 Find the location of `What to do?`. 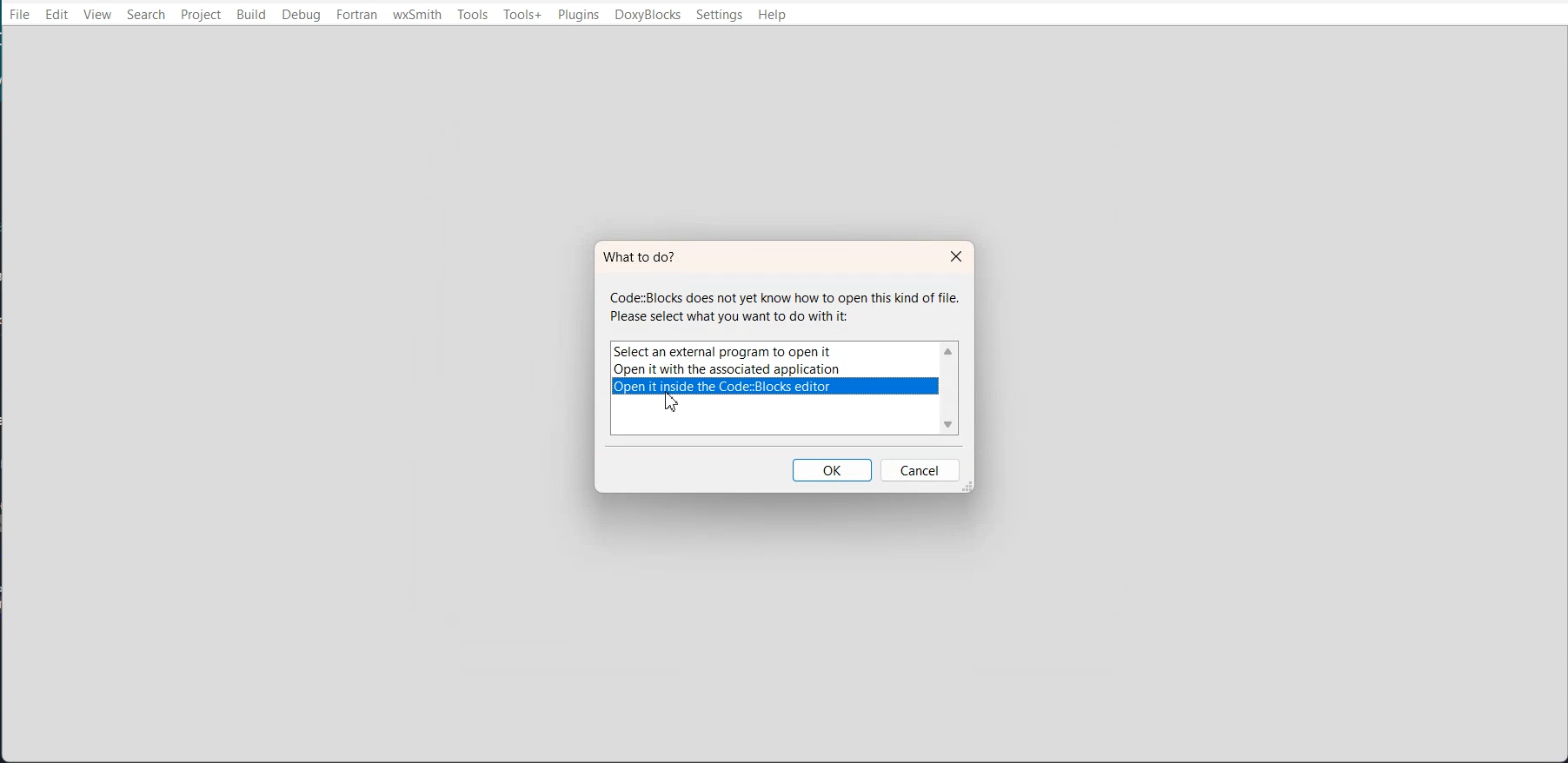

What to do? is located at coordinates (642, 256).